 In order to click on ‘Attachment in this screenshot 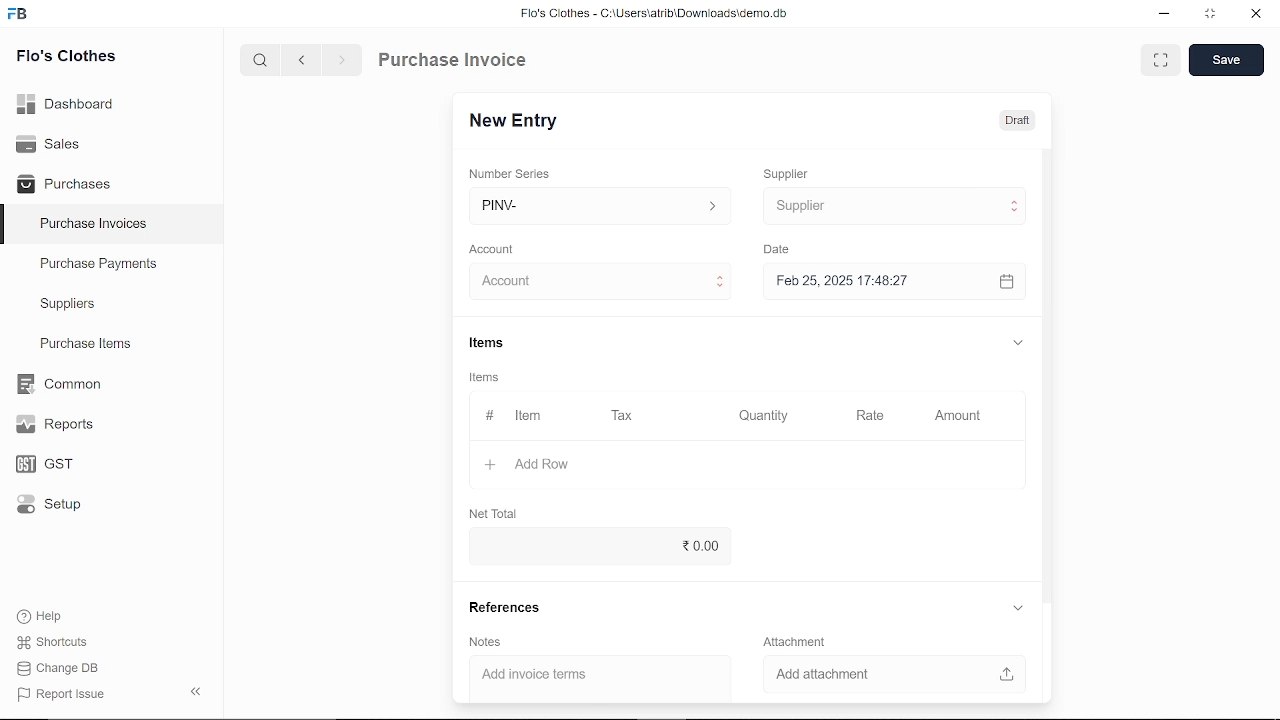, I will do `click(794, 641)`.